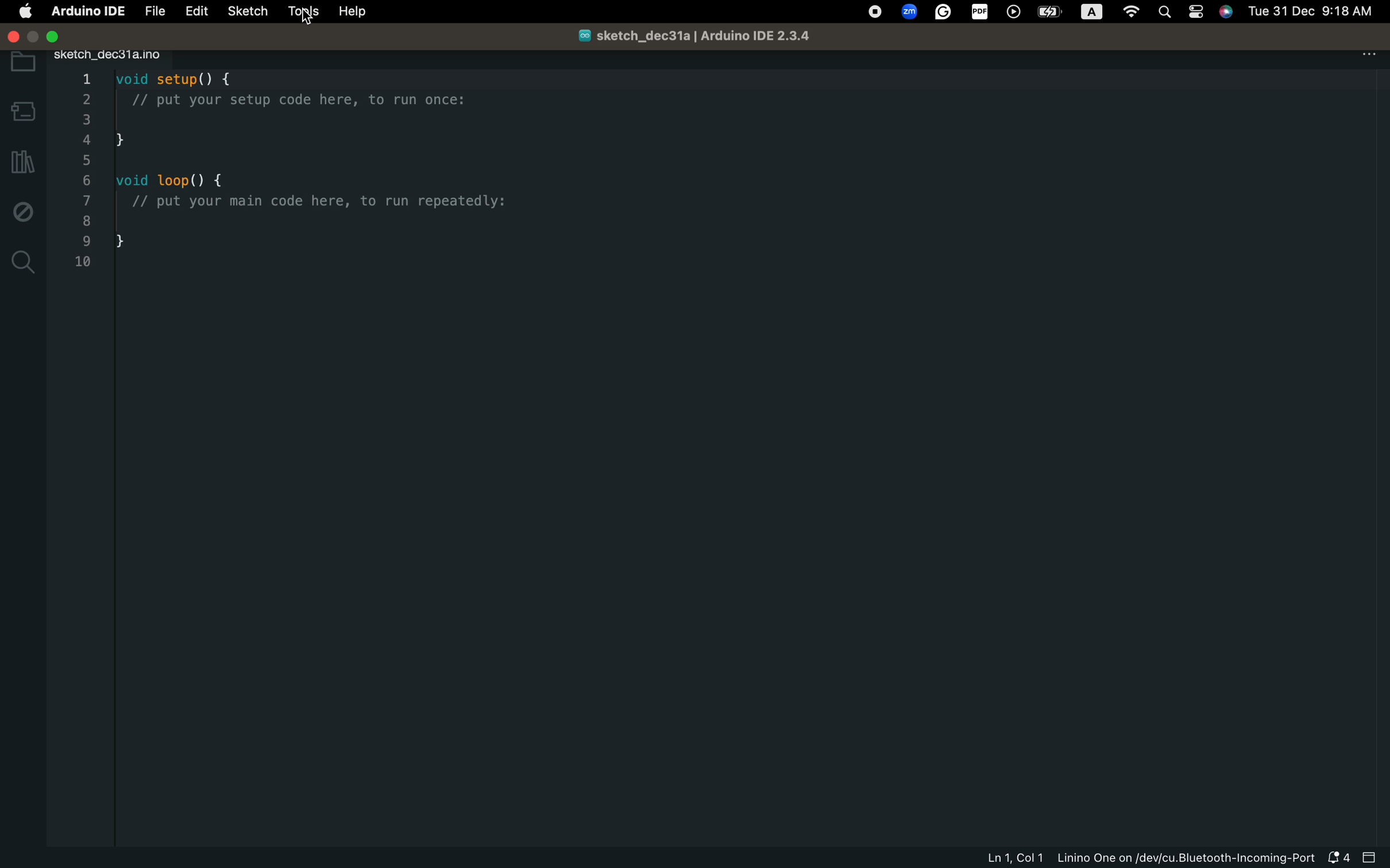 The image size is (1390, 868). What do you see at coordinates (353, 13) in the screenshot?
I see `help` at bounding box center [353, 13].